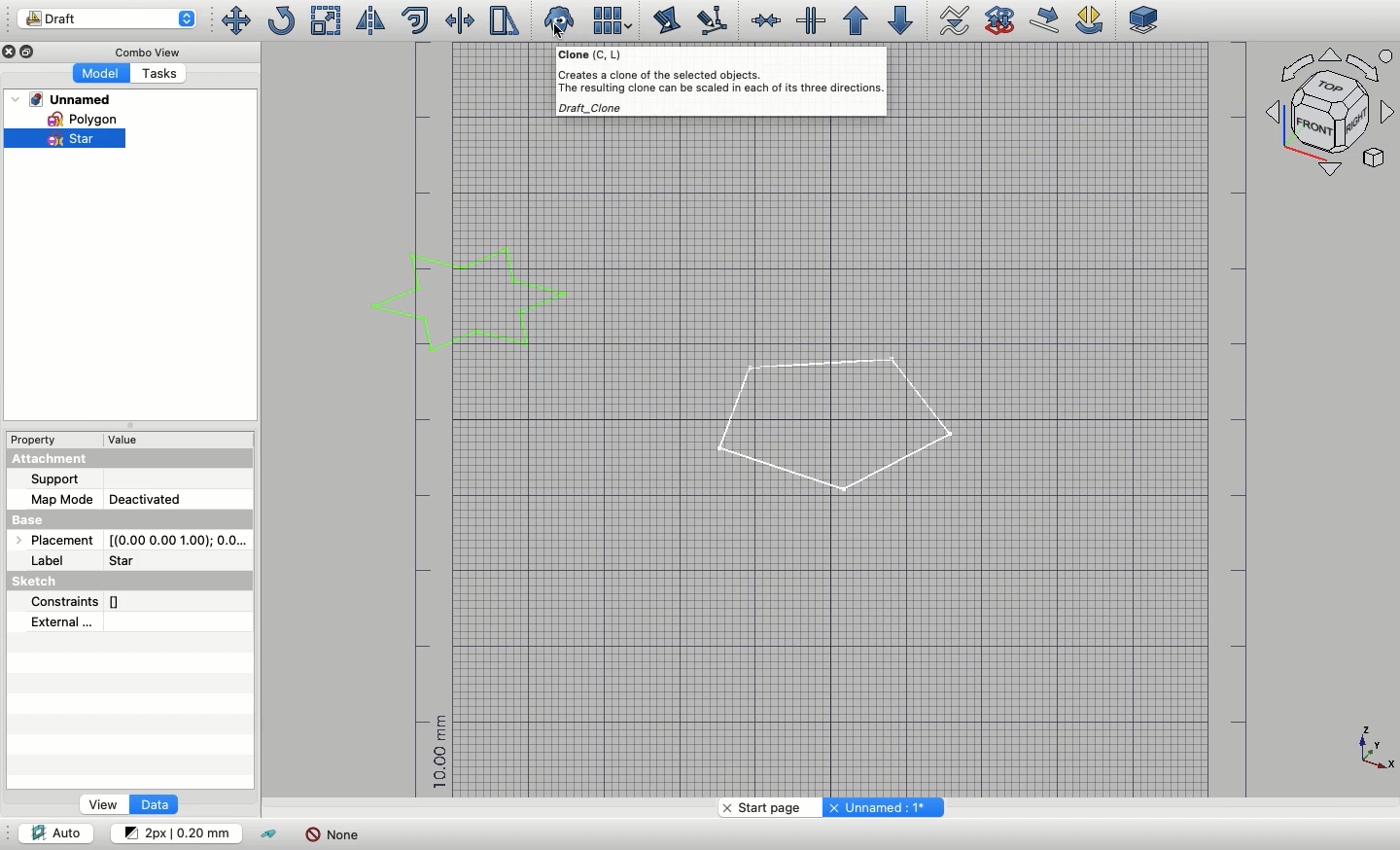 The height and width of the screenshot is (850, 1400). What do you see at coordinates (833, 427) in the screenshot?
I see `Polygon` at bounding box center [833, 427].